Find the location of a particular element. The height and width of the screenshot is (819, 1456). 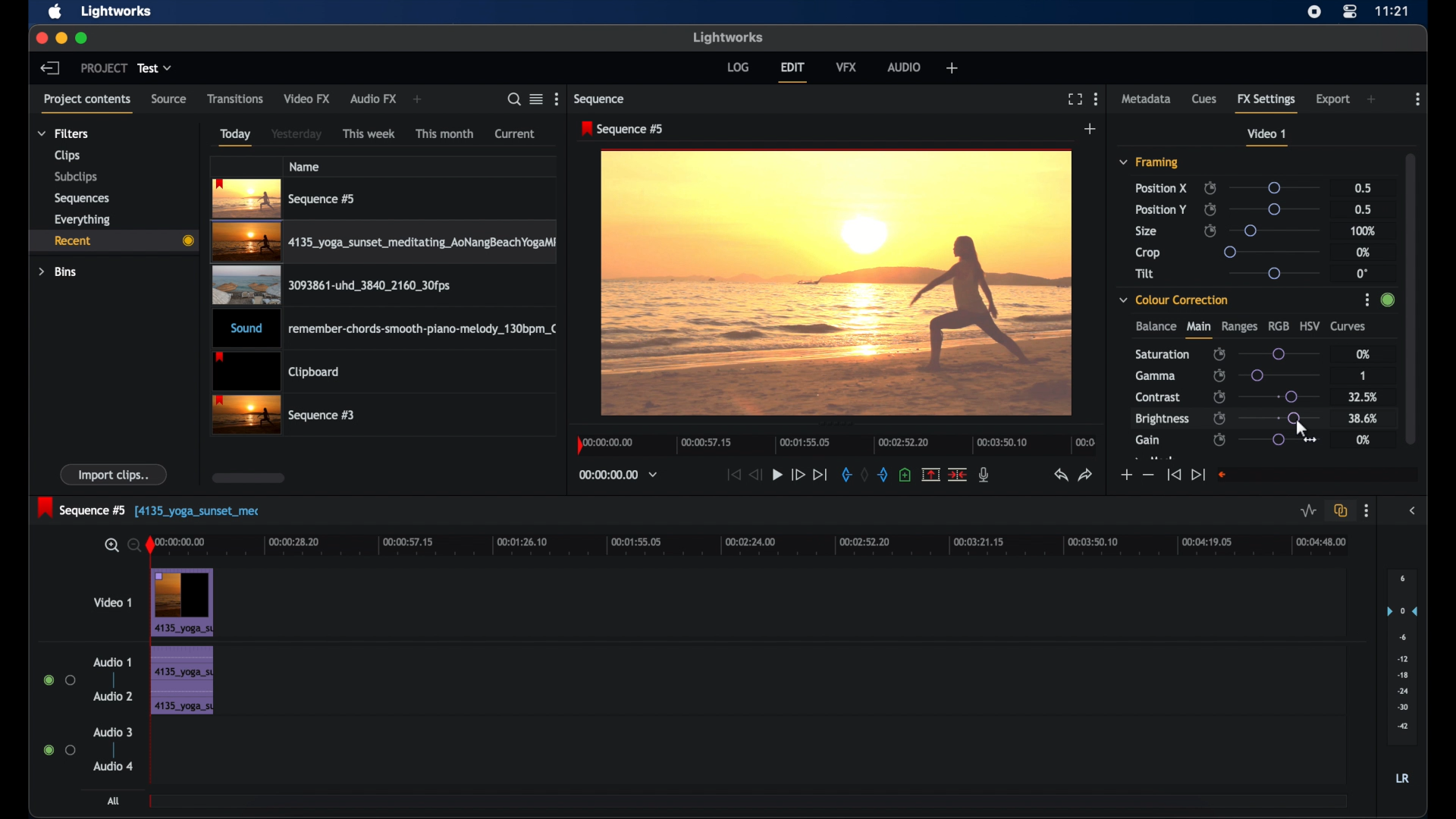

time is located at coordinates (1392, 11).